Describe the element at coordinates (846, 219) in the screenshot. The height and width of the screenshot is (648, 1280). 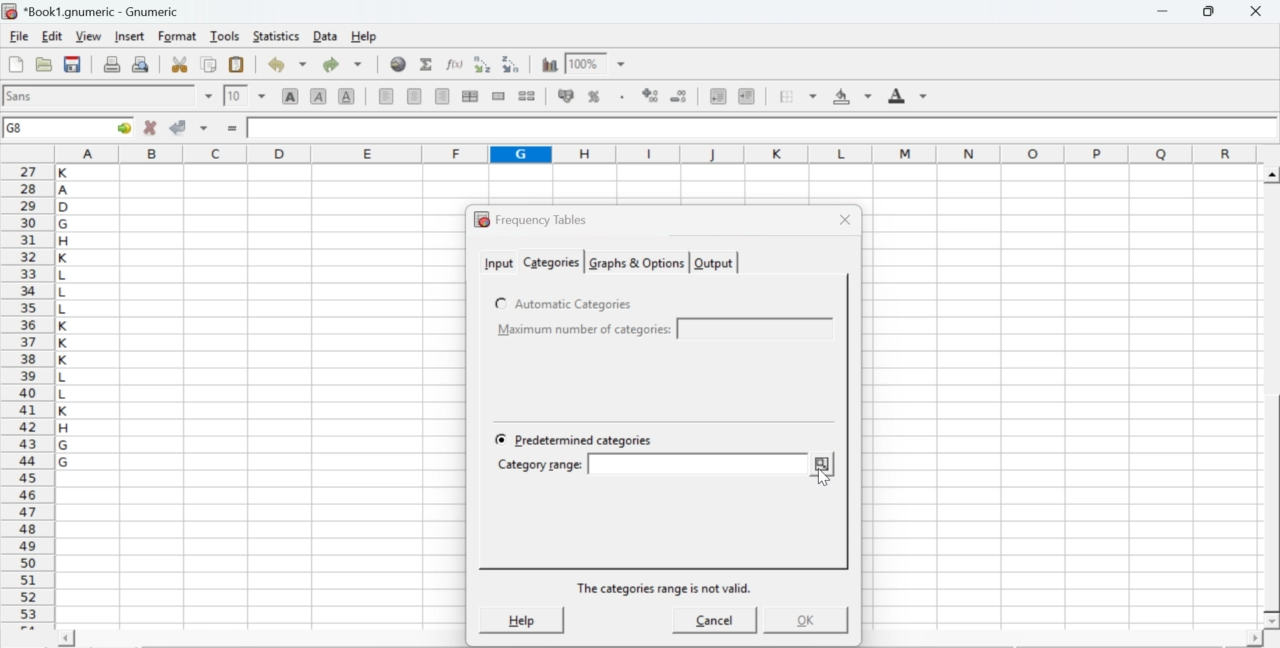
I see `close` at that location.